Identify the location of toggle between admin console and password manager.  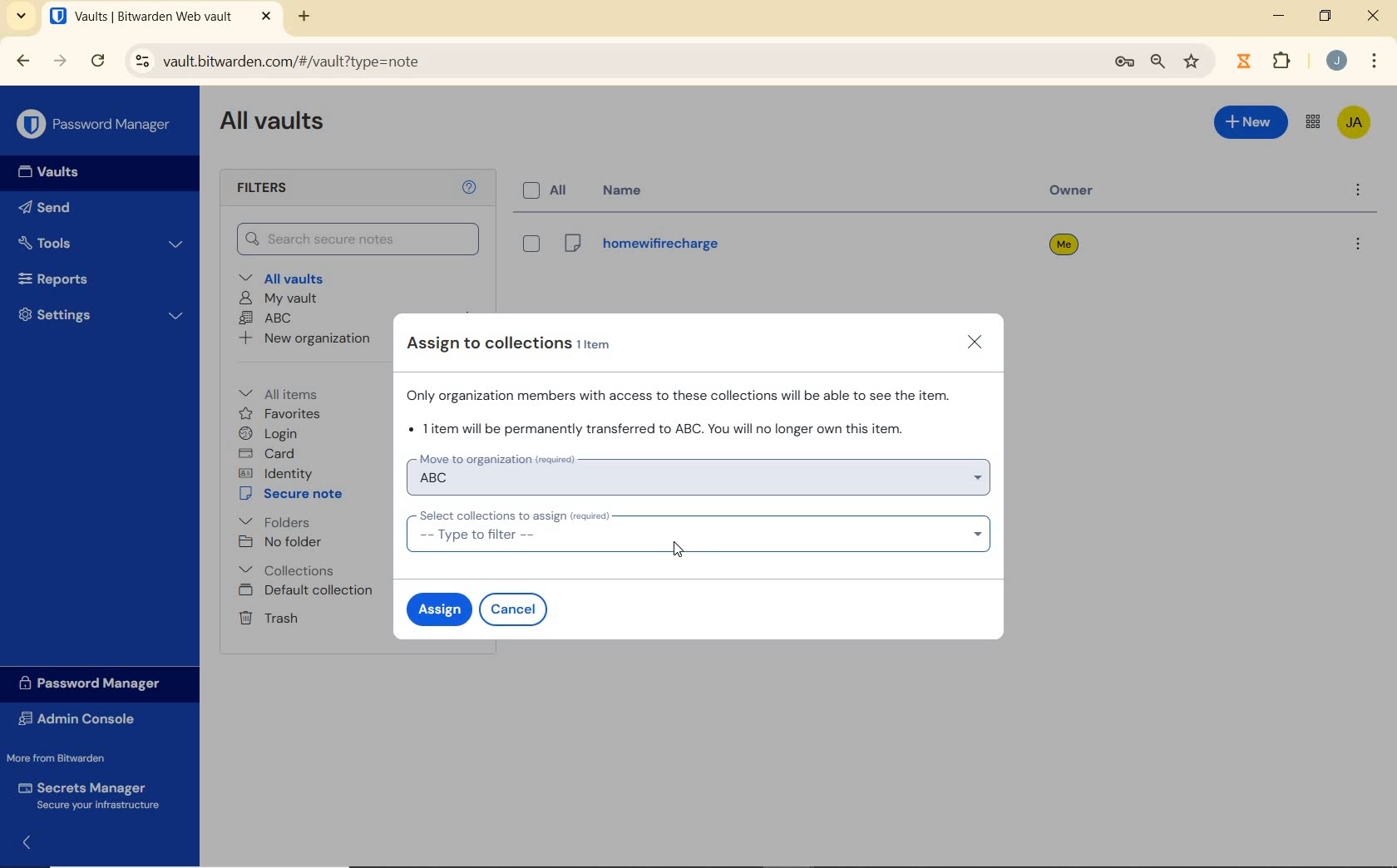
(1313, 123).